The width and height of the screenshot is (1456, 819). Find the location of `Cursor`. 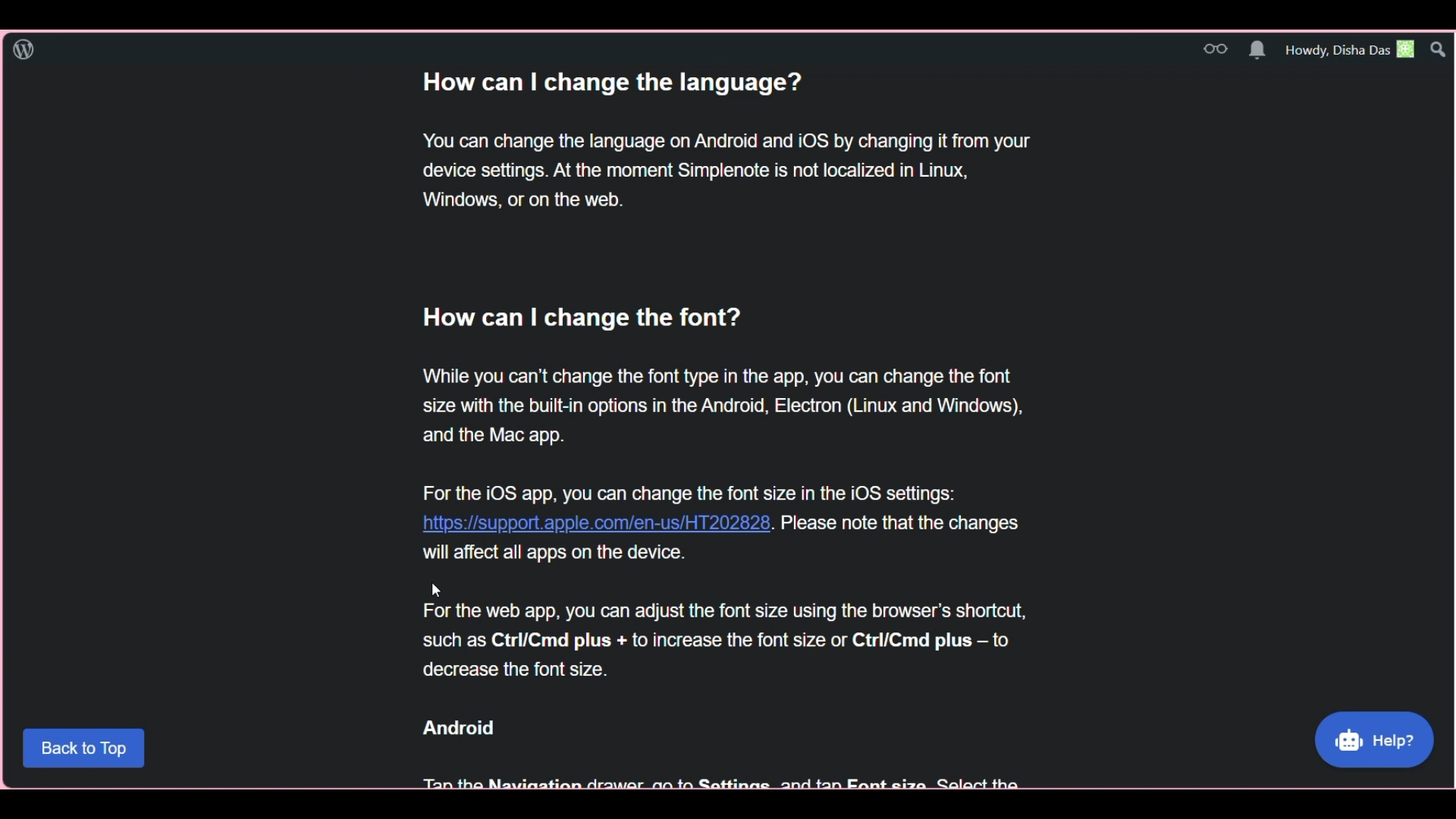

Cursor is located at coordinates (435, 587).